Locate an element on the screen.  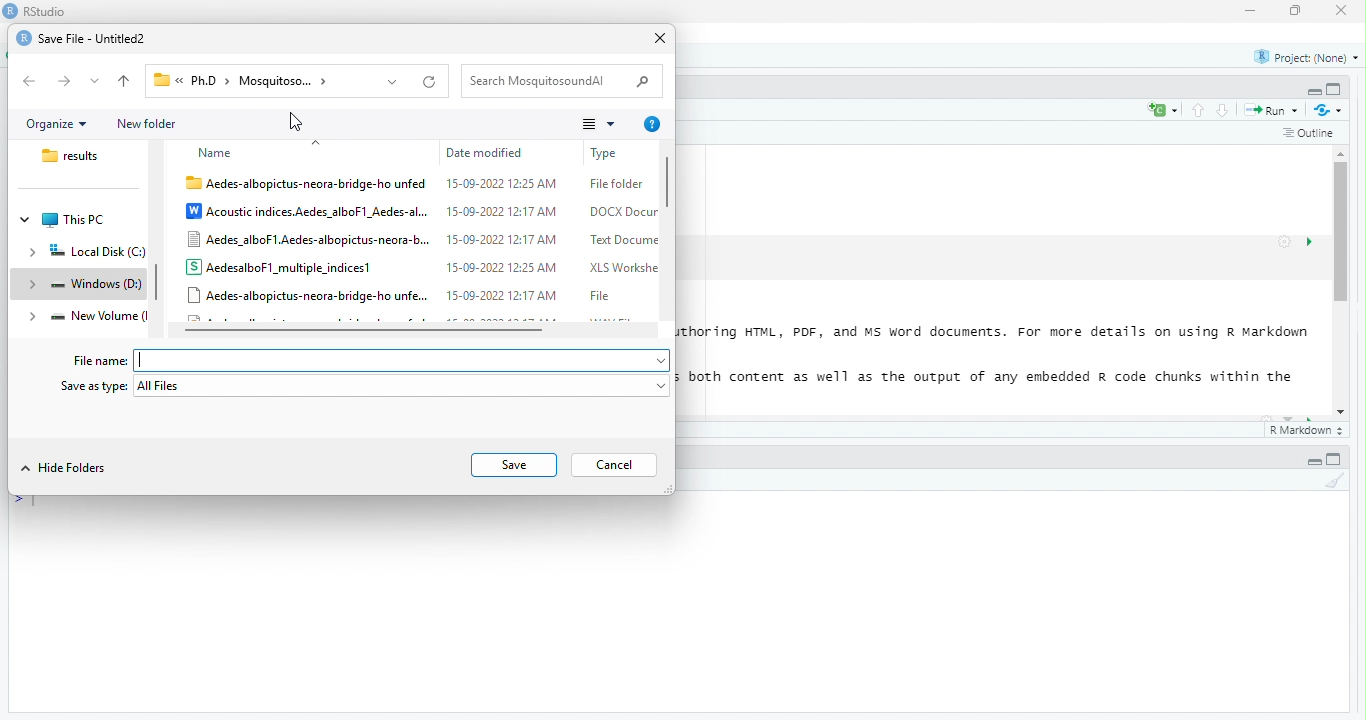
Aedes_alboF1.Aedes-albopictus-neora-b... 15-09-2022 12:17AM Text Document is located at coordinates (422, 240).